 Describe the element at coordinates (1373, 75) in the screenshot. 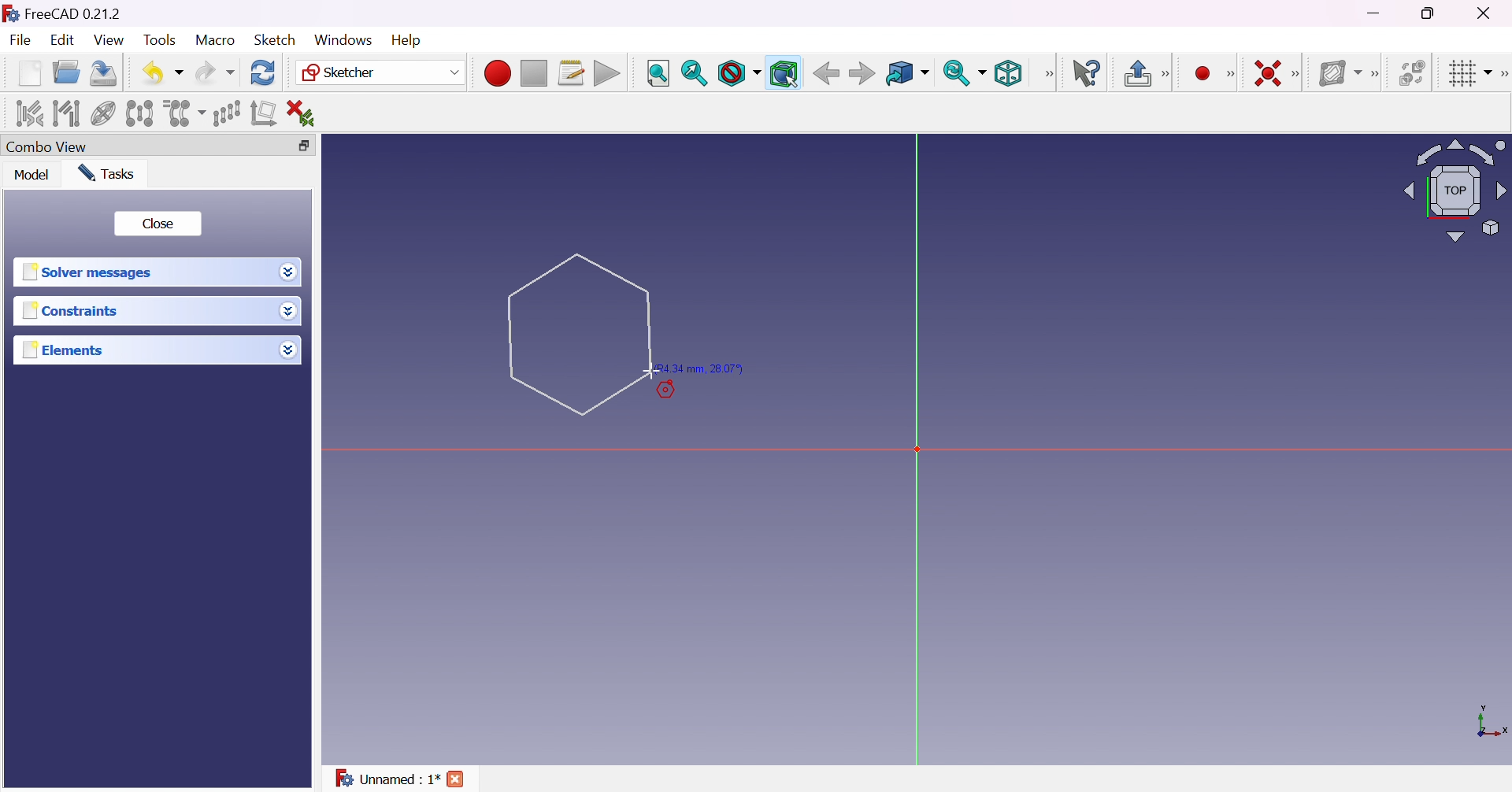

I see `[Sketcher B-spline tools]` at that location.